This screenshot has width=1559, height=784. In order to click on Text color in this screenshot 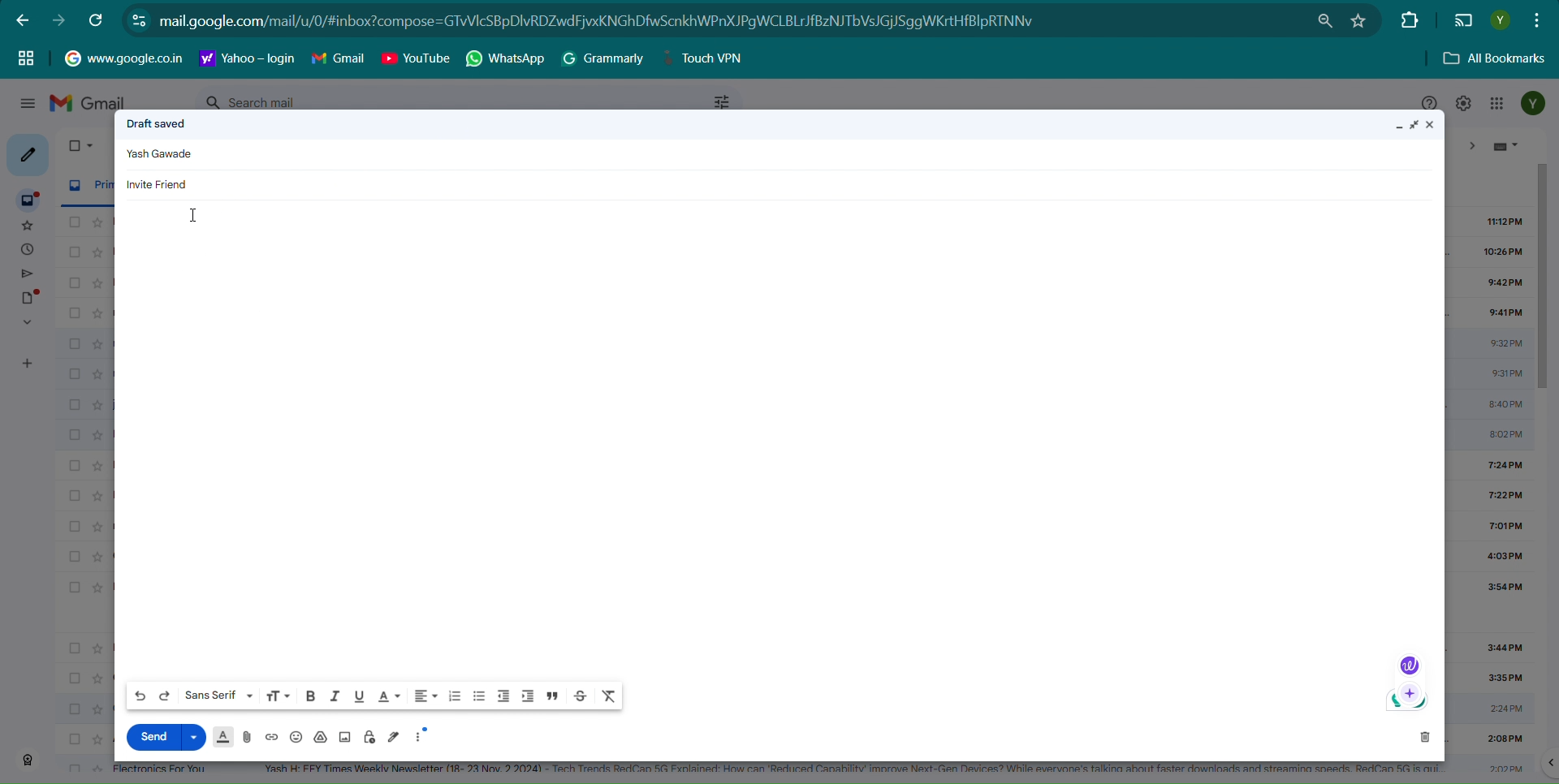, I will do `click(388, 696)`.